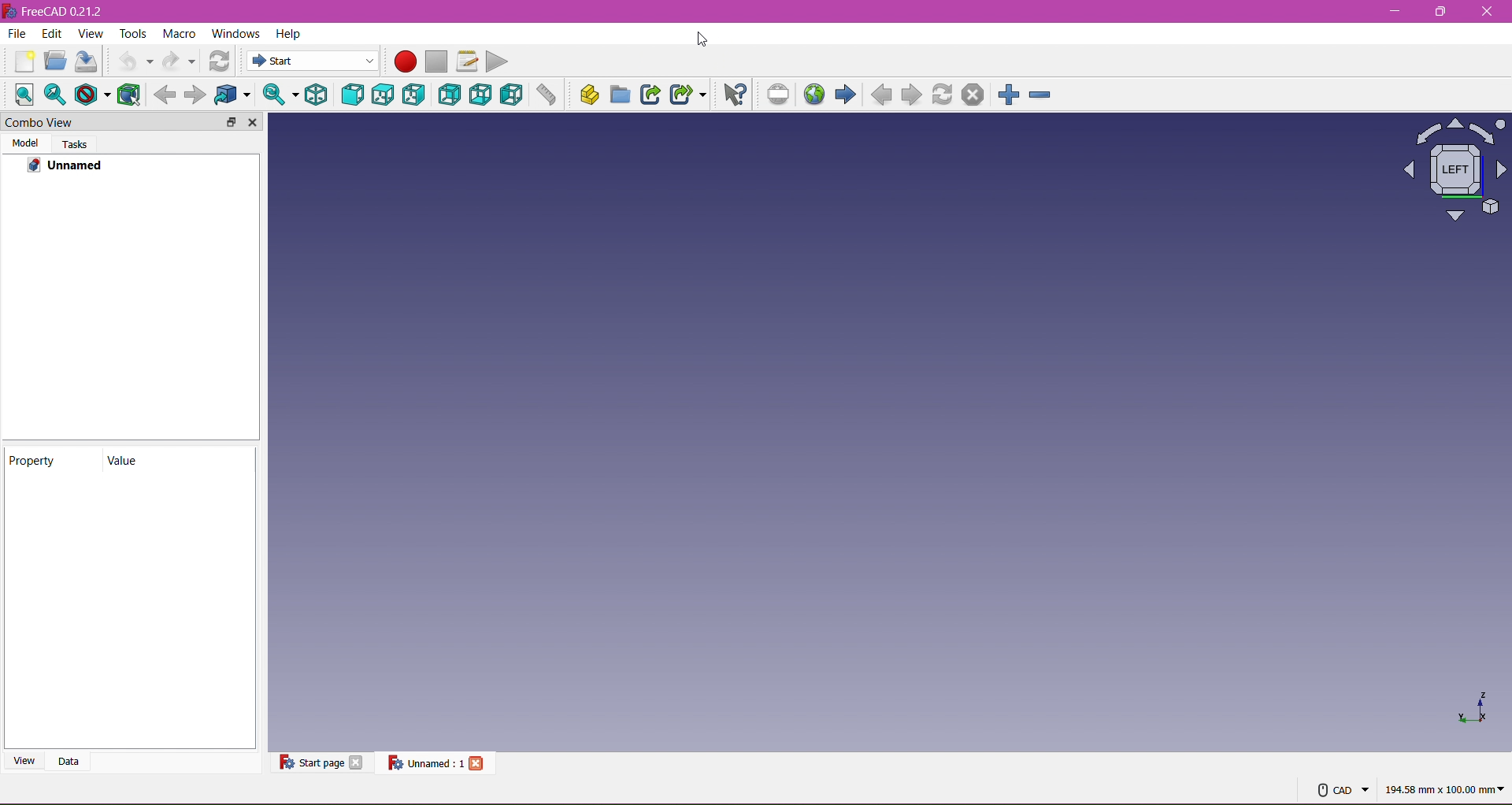 This screenshot has height=805, width=1512. What do you see at coordinates (75, 145) in the screenshot?
I see `Tasks` at bounding box center [75, 145].